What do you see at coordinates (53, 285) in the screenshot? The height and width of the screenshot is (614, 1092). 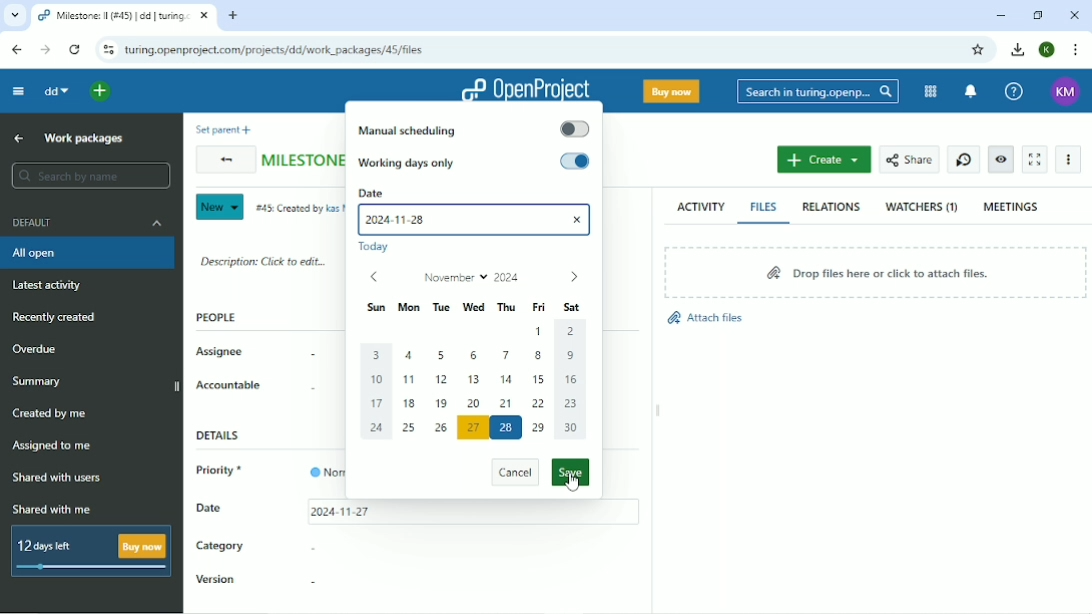 I see `Latest activity` at bounding box center [53, 285].